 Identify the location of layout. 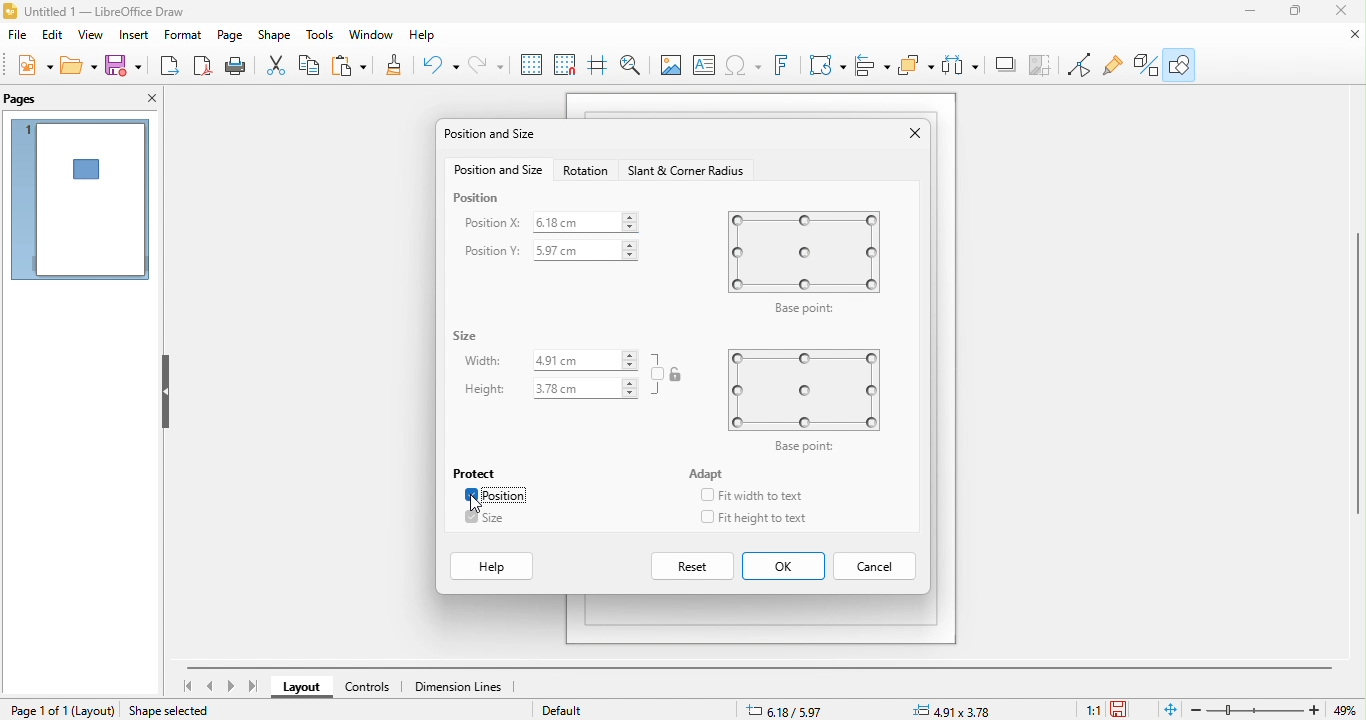
(304, 688).